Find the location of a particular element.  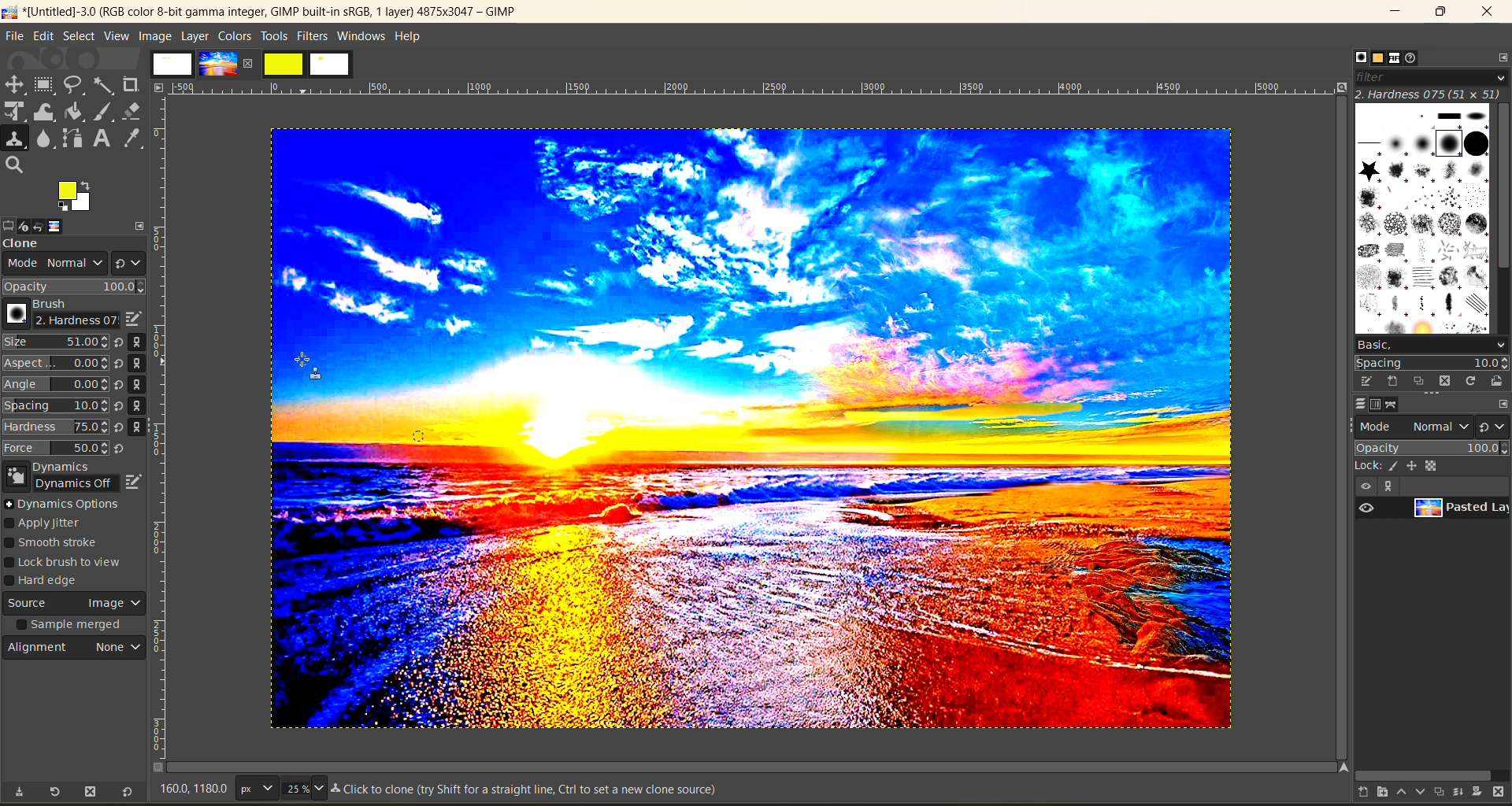

close is located at coordinates (251, 63).